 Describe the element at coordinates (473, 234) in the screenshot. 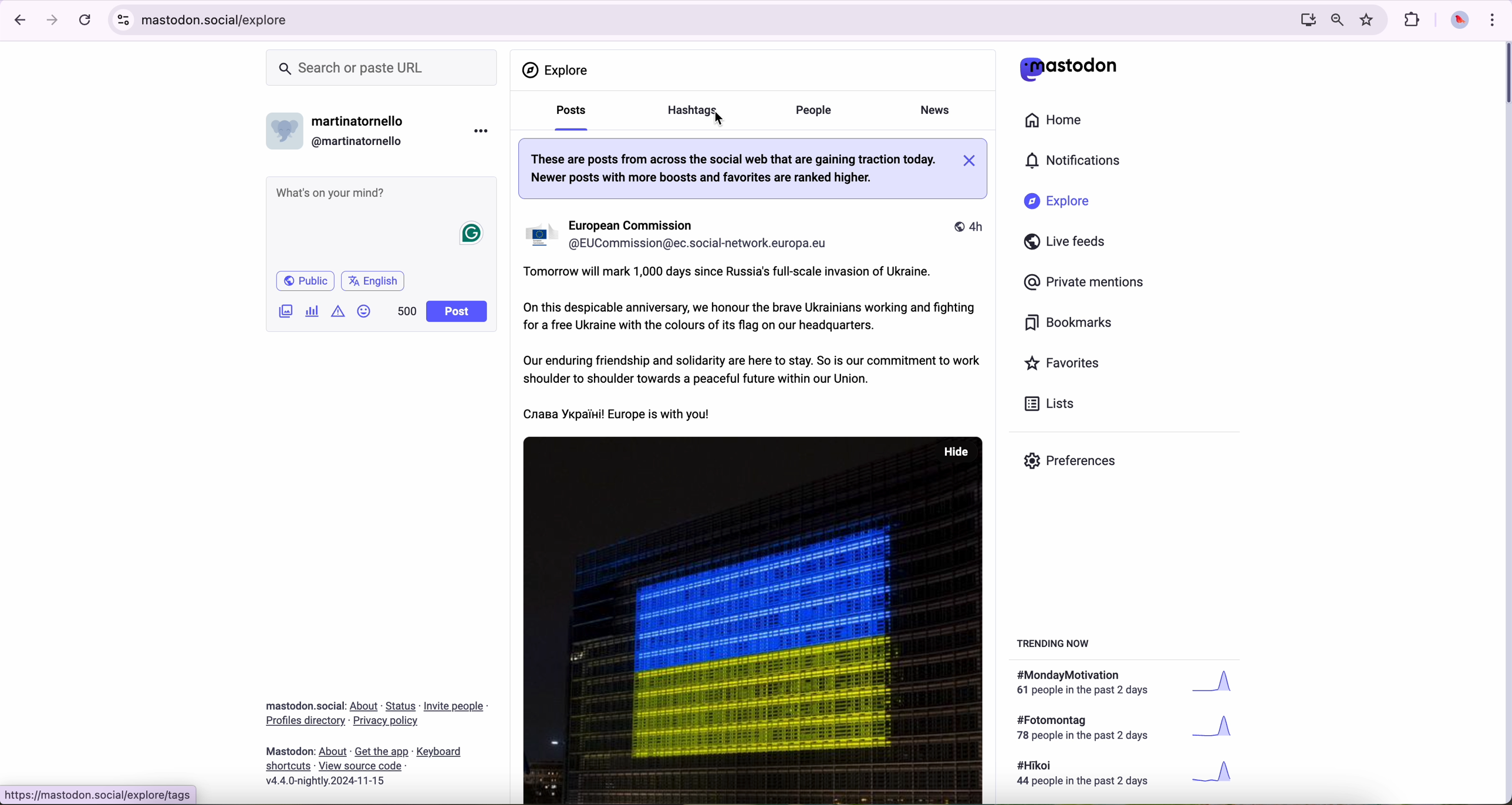

I see `grammarly icon` at that location.